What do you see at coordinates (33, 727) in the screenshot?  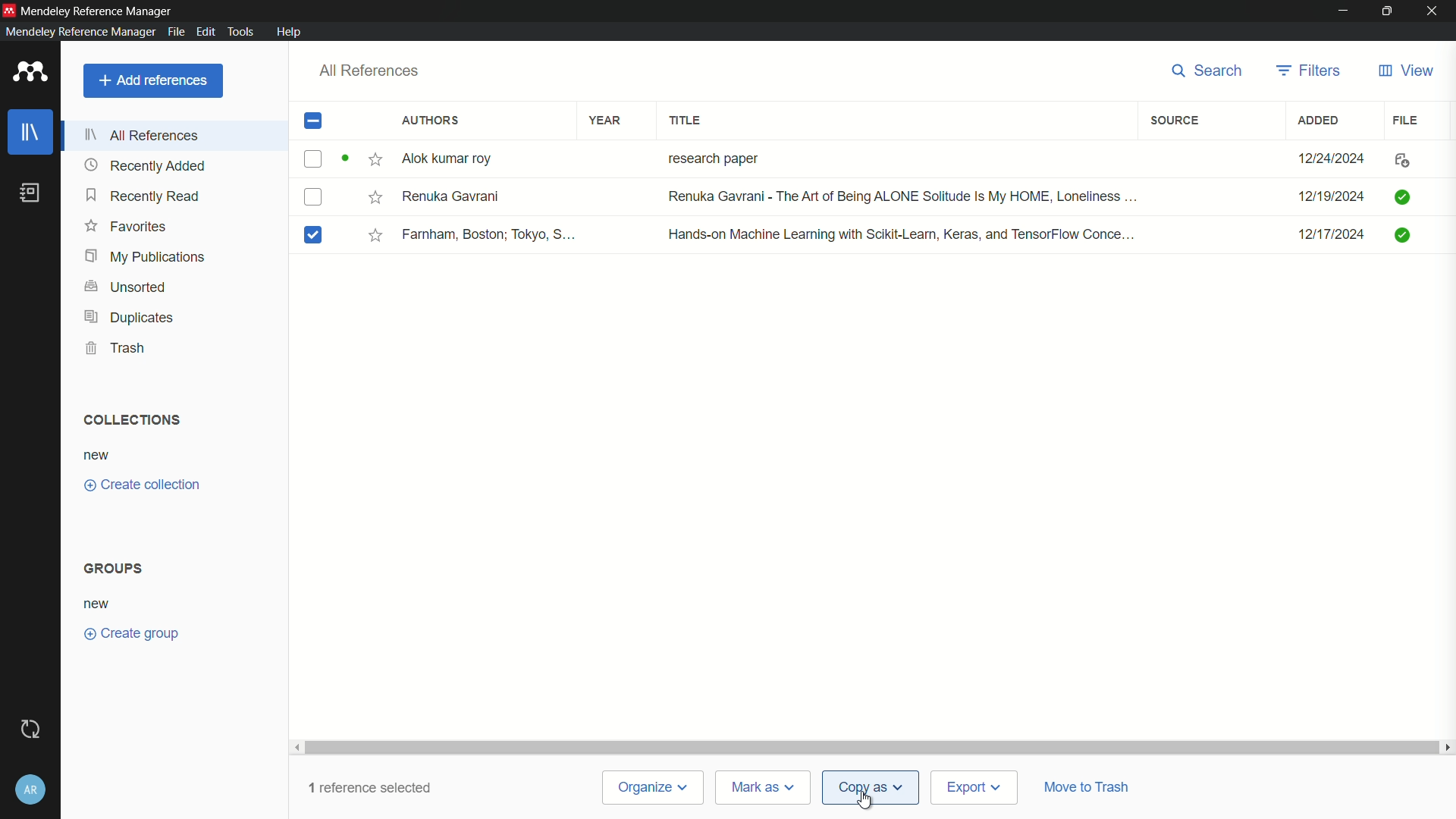 I see `sync` at bounding box center [33, 727].